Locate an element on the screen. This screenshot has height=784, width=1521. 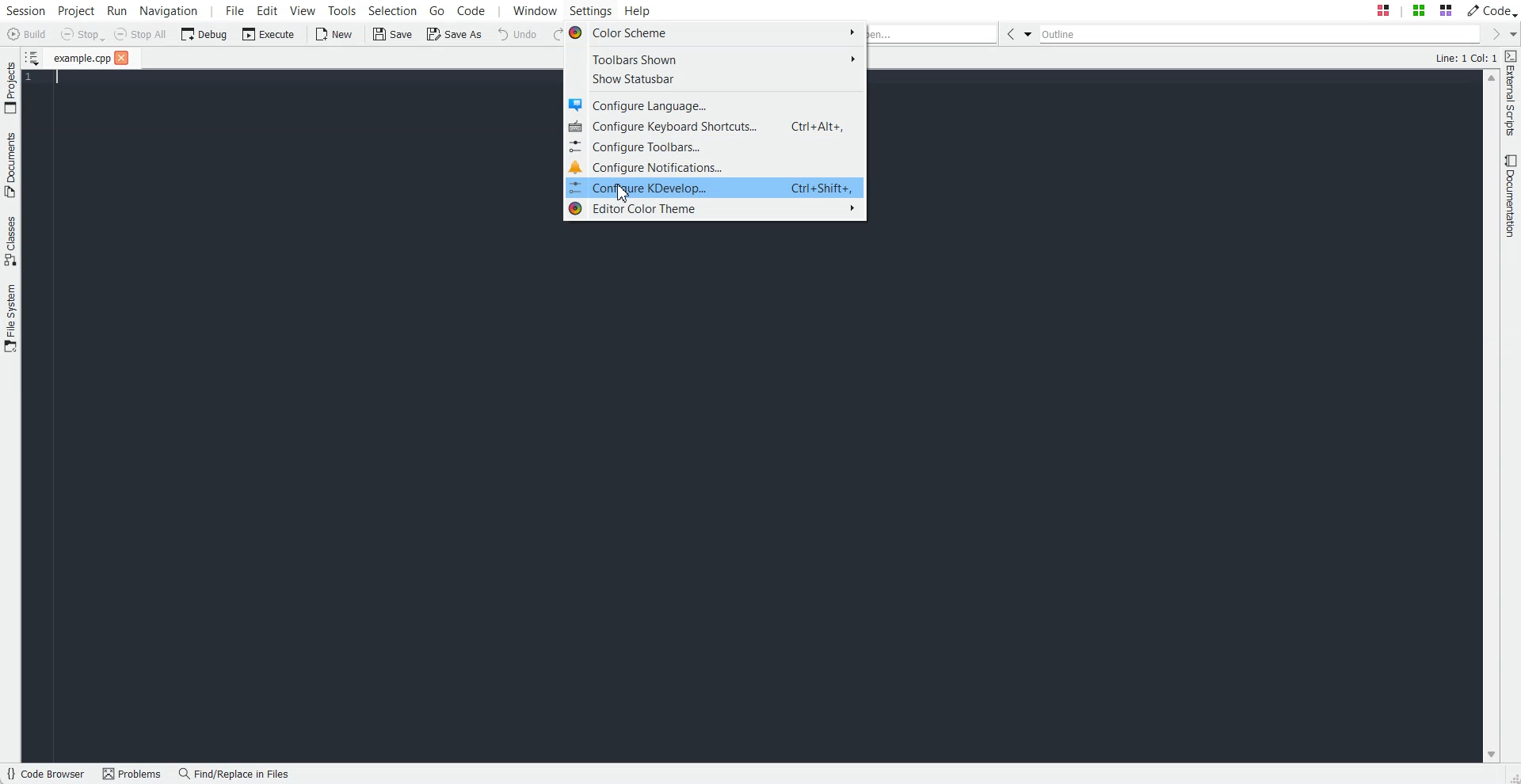
Help is located at coordinates (638, 10).